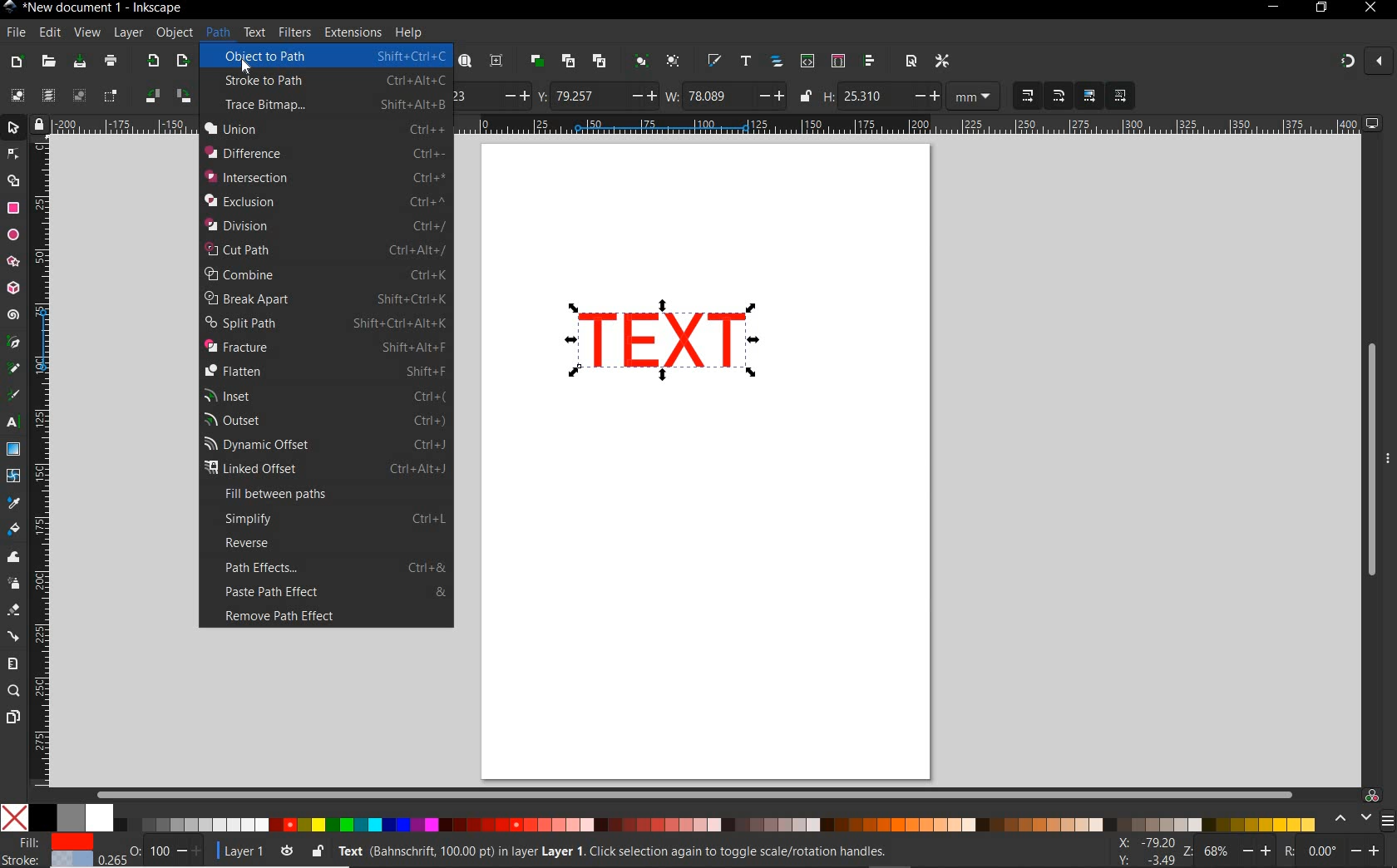 This screenshot has width=1397, height=868. Describe the element at coordinates (713, 62) in the screenshot. I see `OPEN FILL AND STROKE` at that location.